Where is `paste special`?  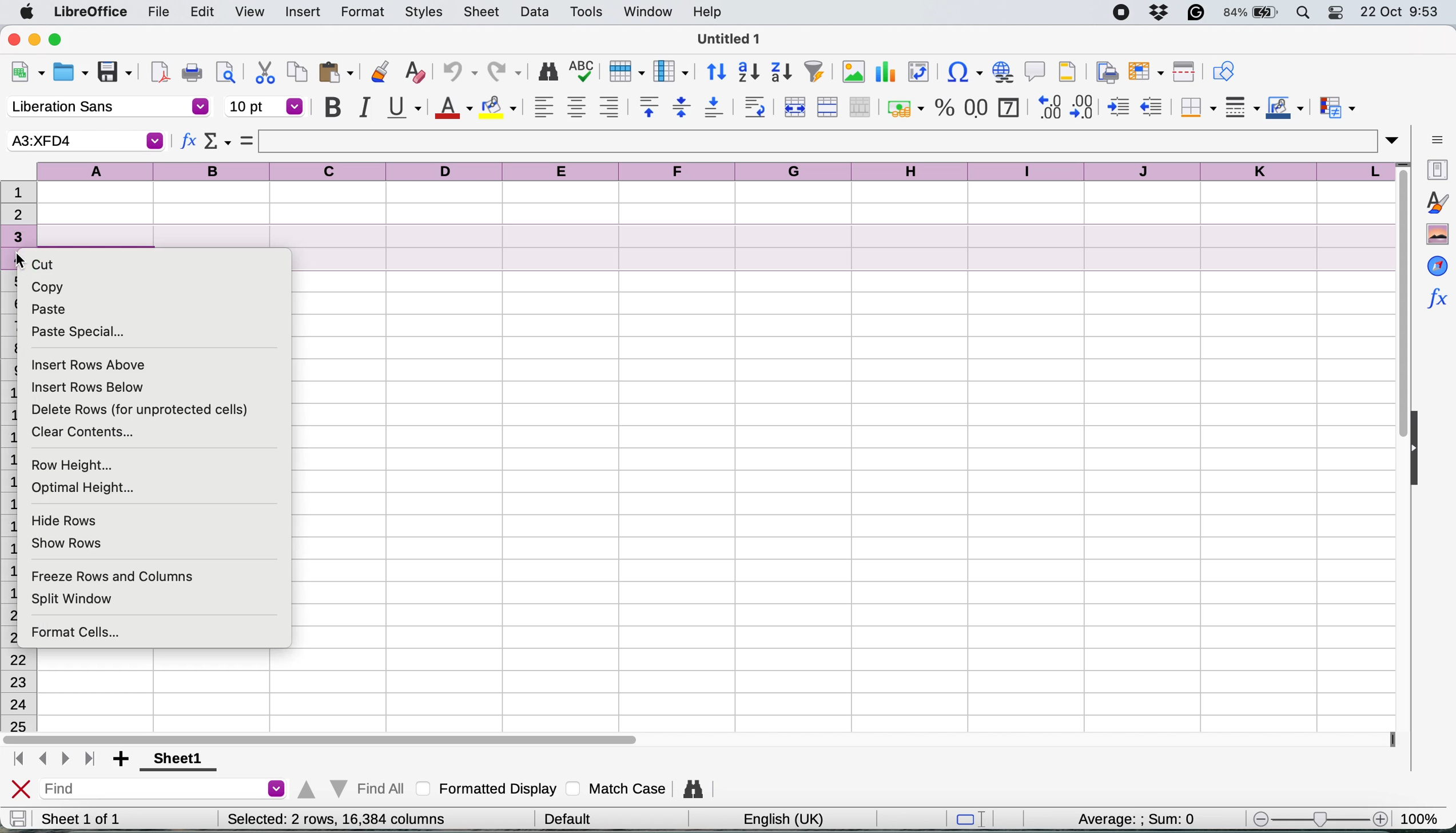
paste special is located at coordinates (78, 332).